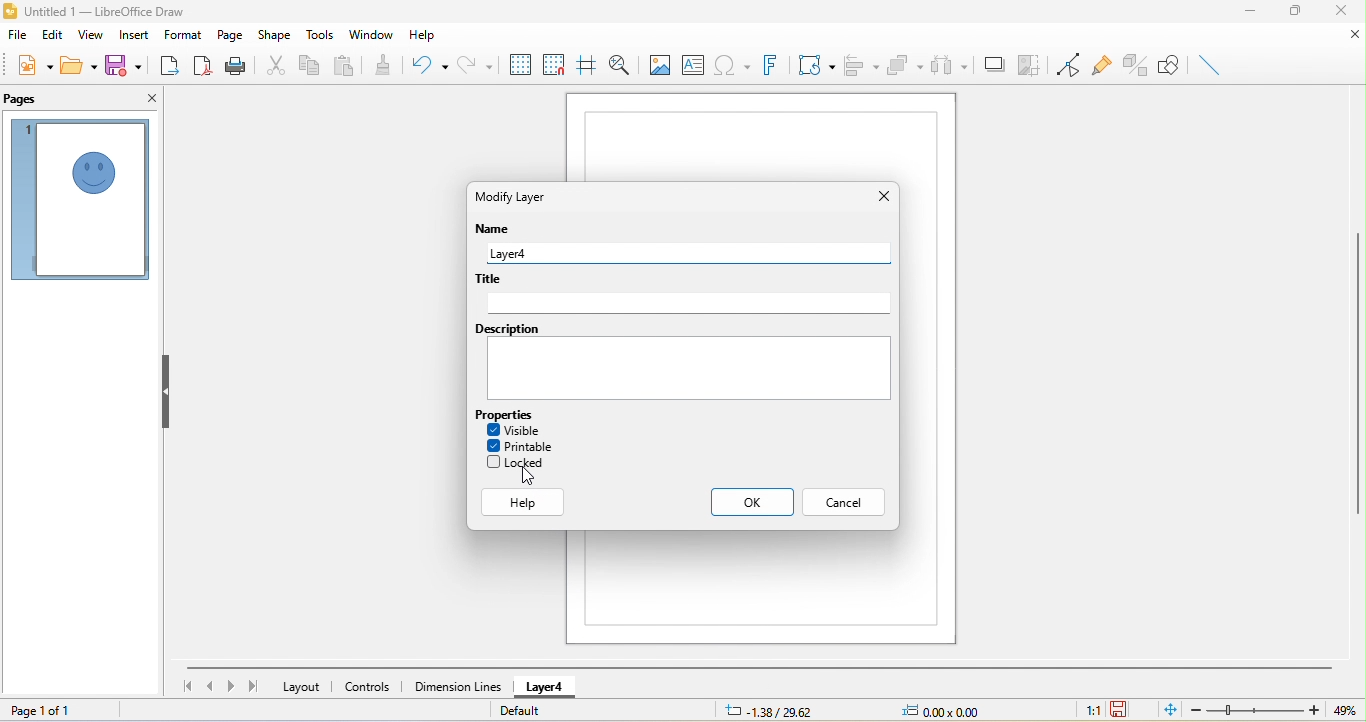 This screenshot has height=722, width=1366. I want to click on cut, so click(274, 64).